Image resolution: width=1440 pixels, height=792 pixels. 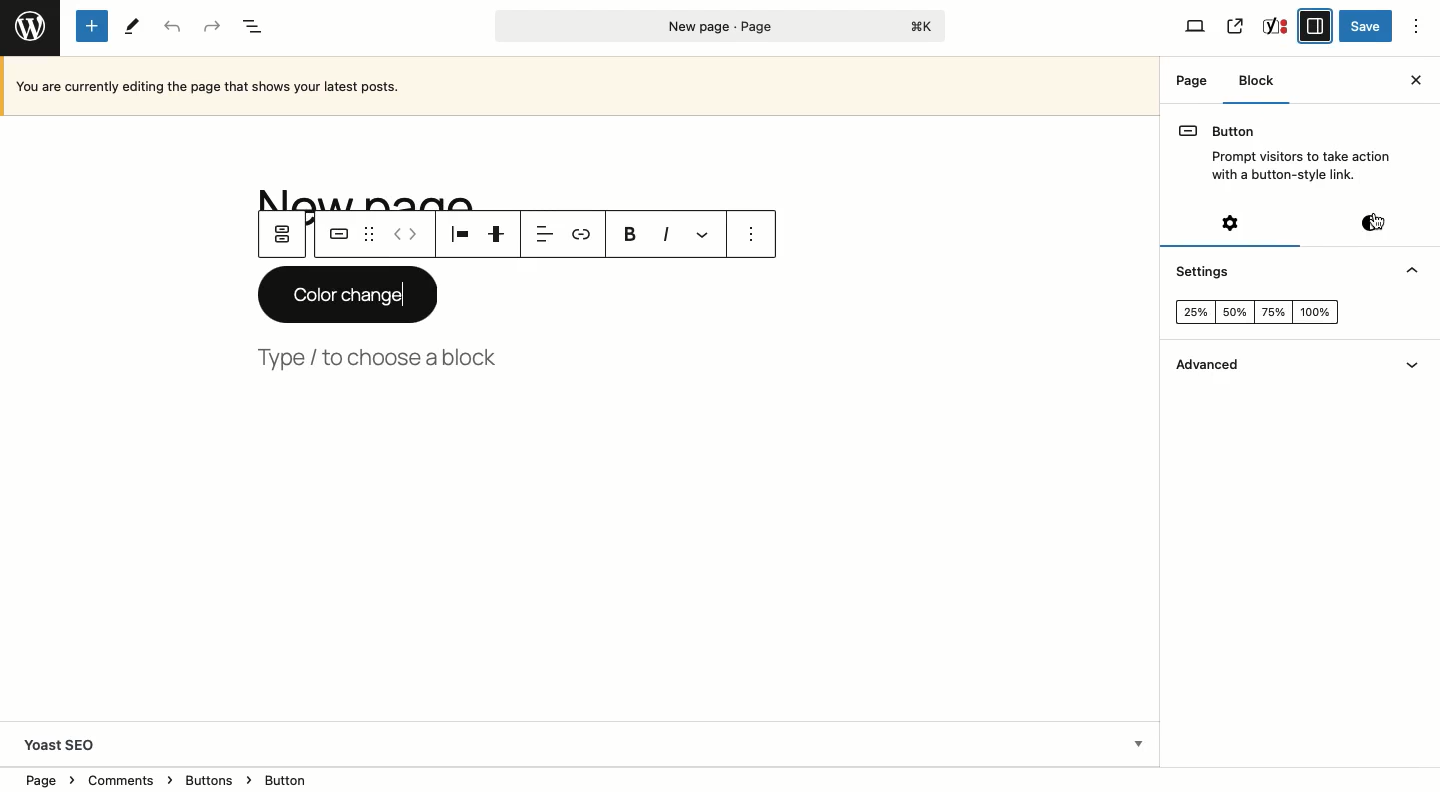 What do you see at coordinates (1276, 26) in the screenshot?
I see `SEO` at bounding box center [1276, 26].